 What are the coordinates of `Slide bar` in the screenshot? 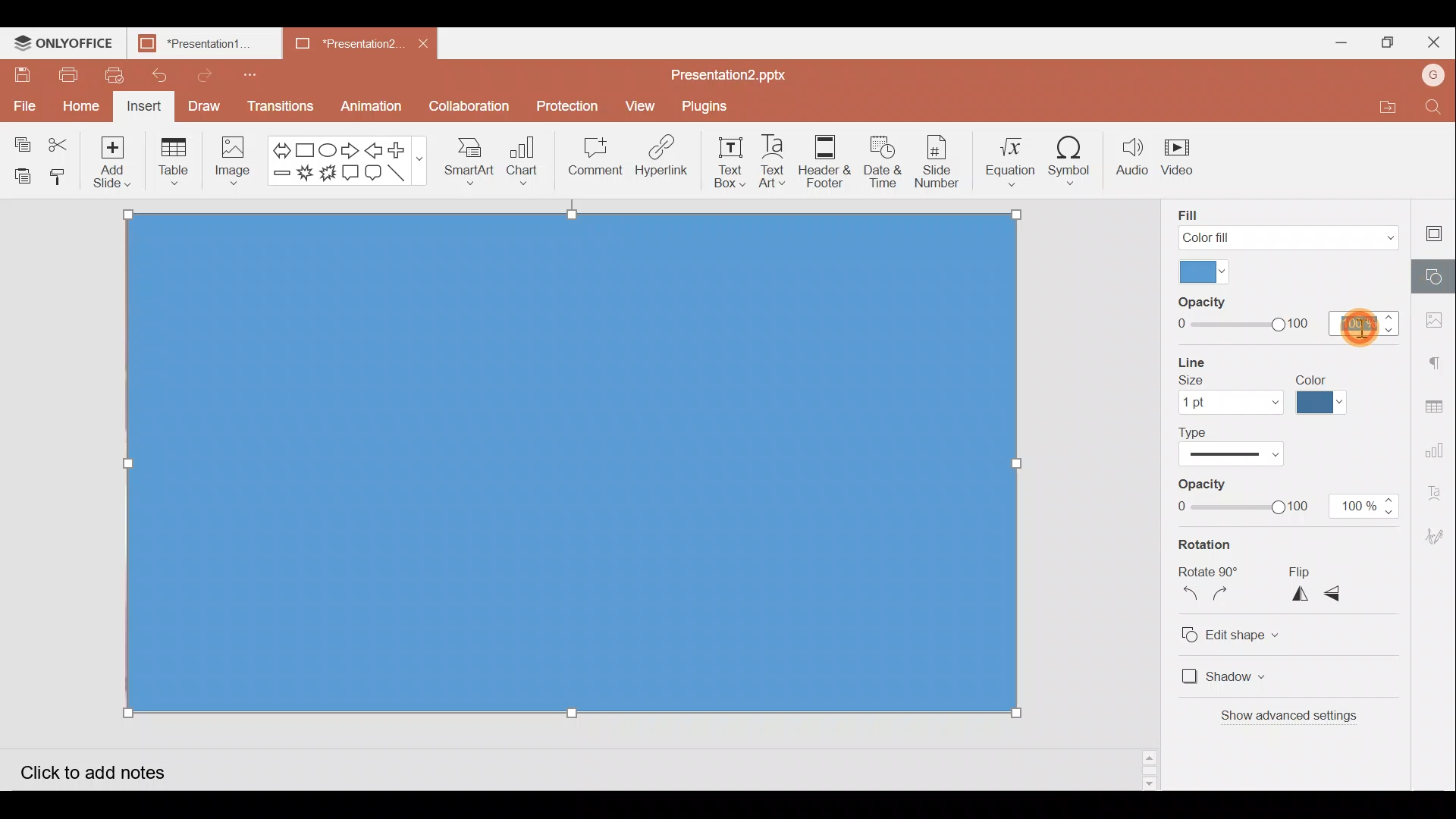 It's located at (1145, 770).